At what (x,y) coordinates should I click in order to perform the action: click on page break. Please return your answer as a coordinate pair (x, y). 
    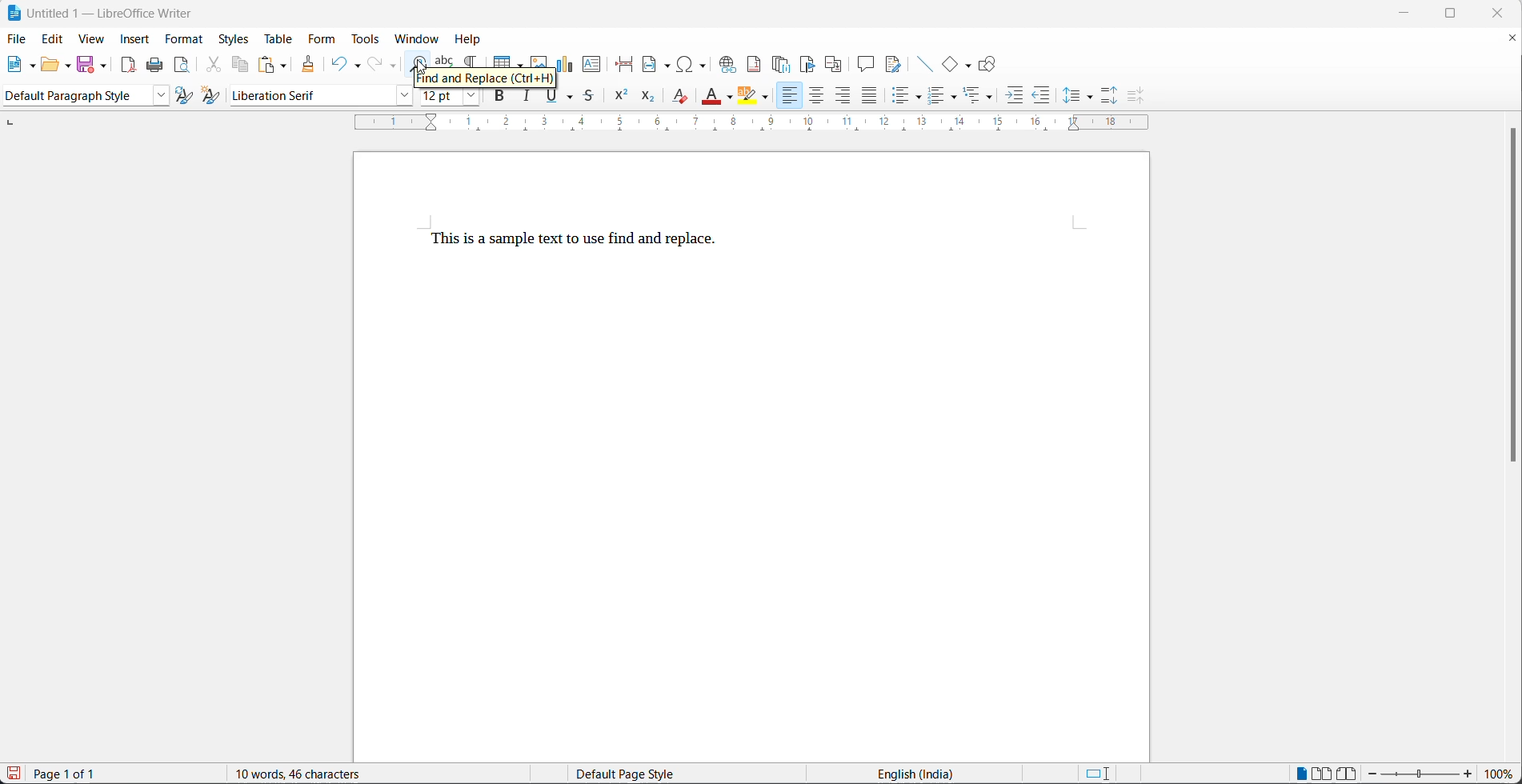
    Looking at the image, I should click on (626, 64).